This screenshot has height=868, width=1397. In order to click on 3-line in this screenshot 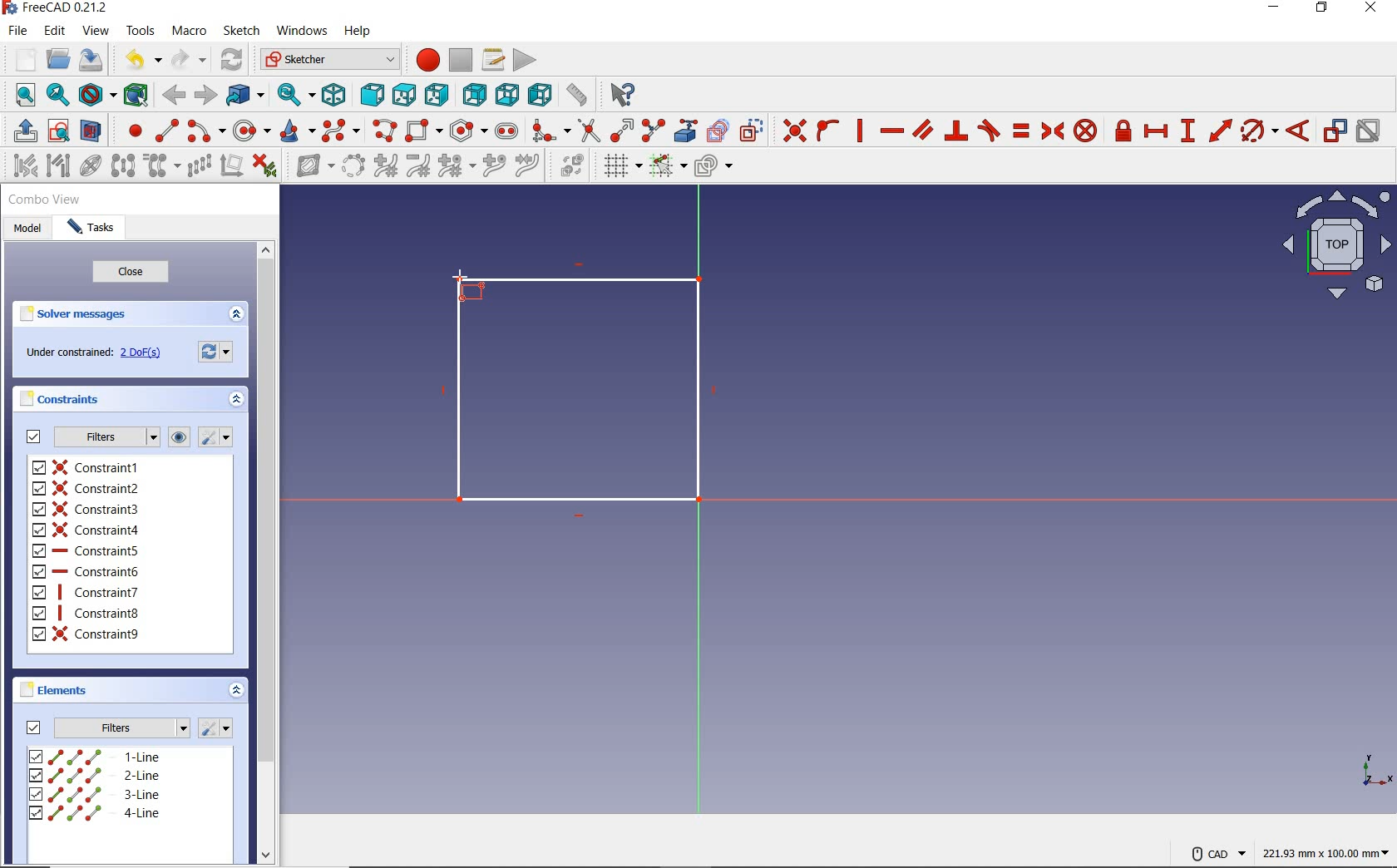, I will do `click(100, 795)`.